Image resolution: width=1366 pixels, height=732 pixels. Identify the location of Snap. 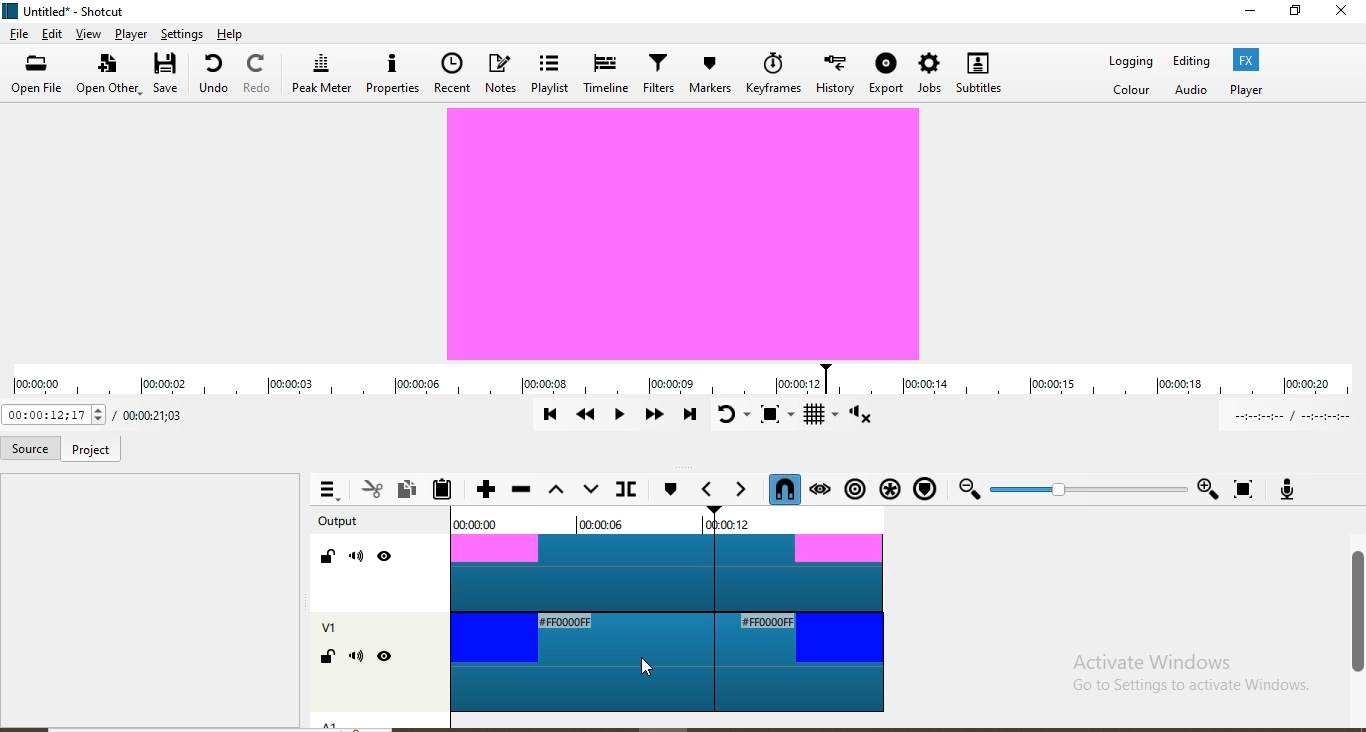
(784, 489).